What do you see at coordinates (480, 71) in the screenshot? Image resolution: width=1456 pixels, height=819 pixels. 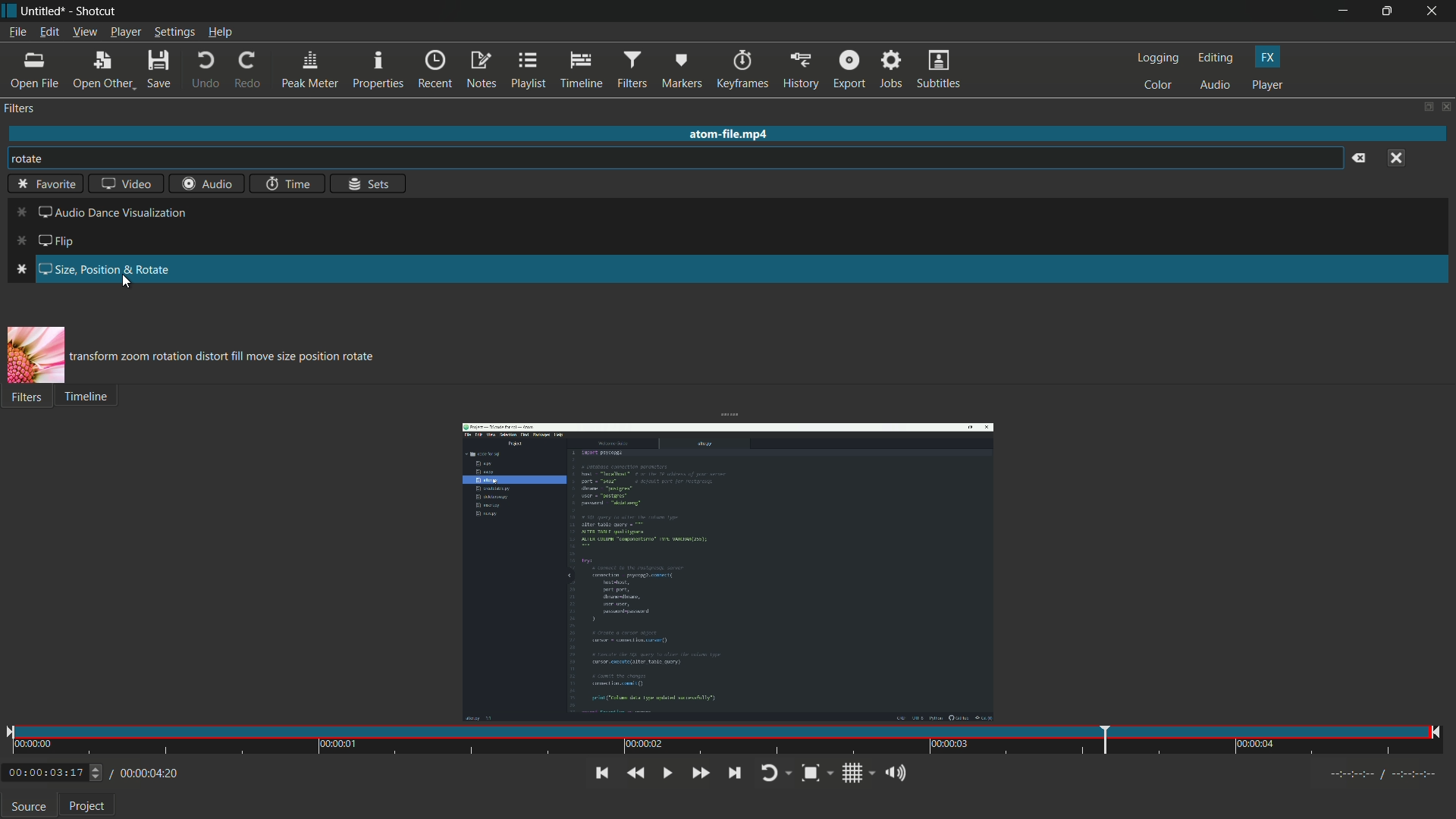 I see `notes` at bounding box center [480, 71].